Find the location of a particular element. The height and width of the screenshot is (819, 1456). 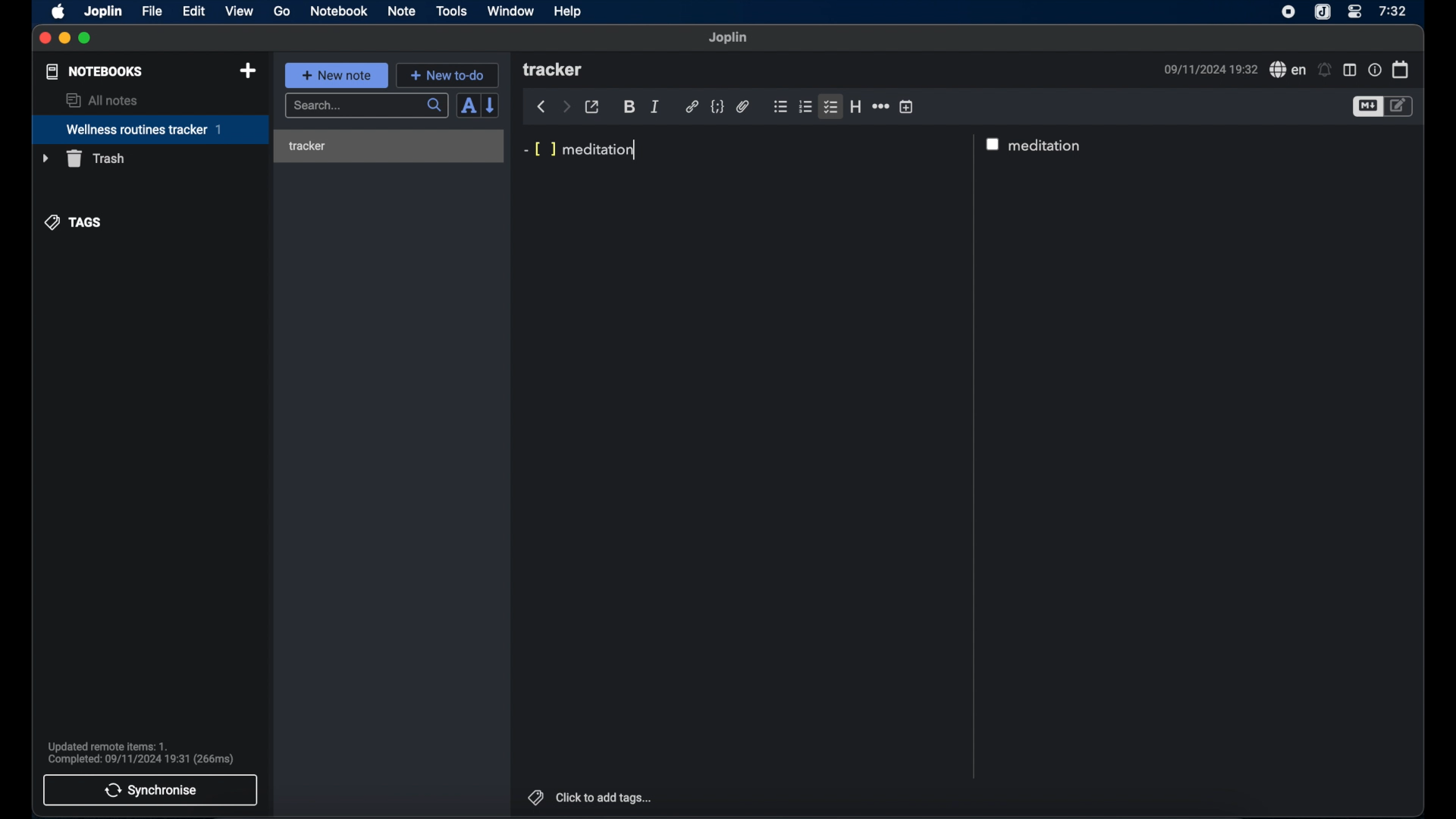

note is located at coordinates (402, 12).